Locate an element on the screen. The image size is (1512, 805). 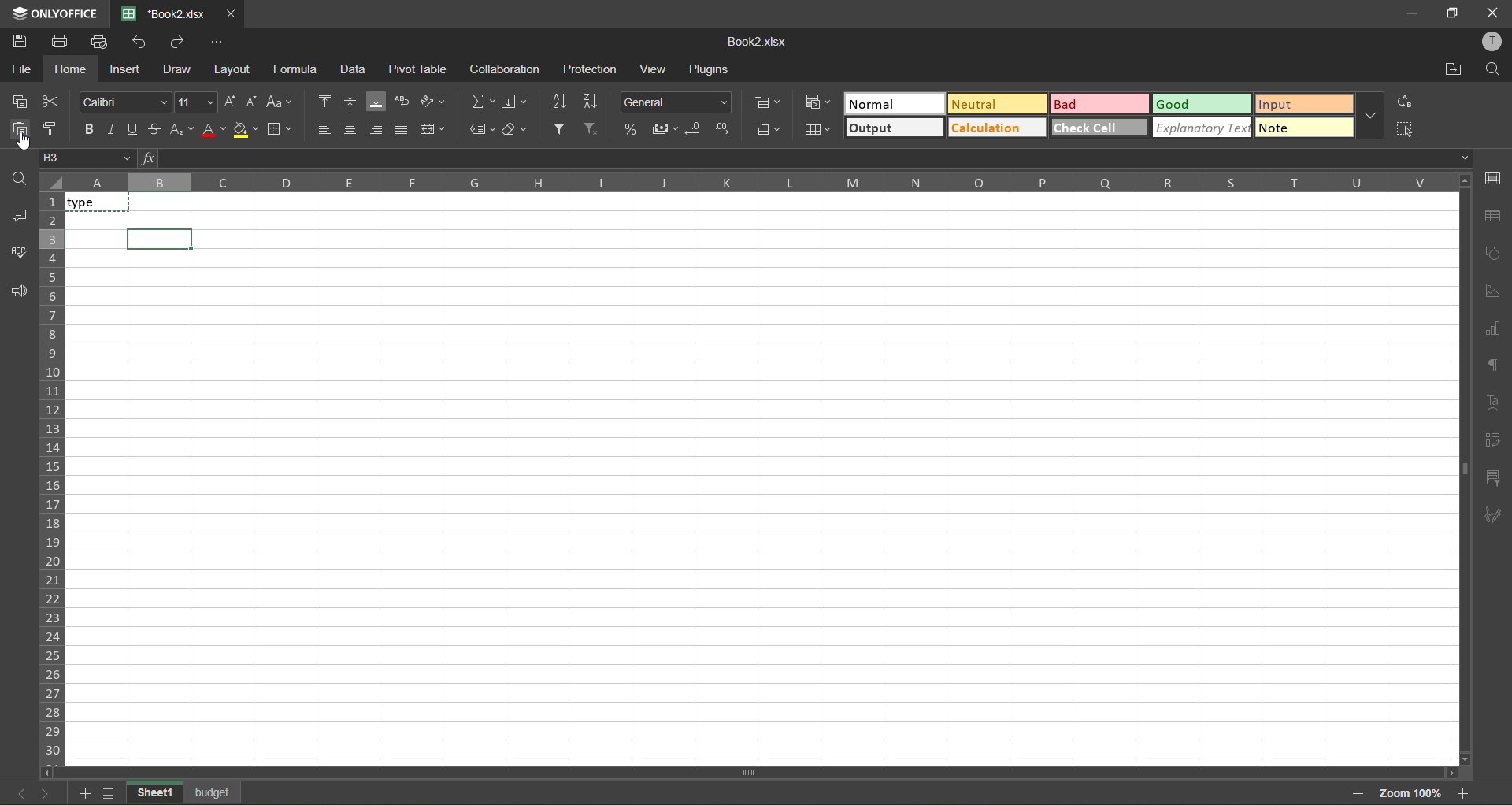
zoom factor is located at coordinates (1411, 792).